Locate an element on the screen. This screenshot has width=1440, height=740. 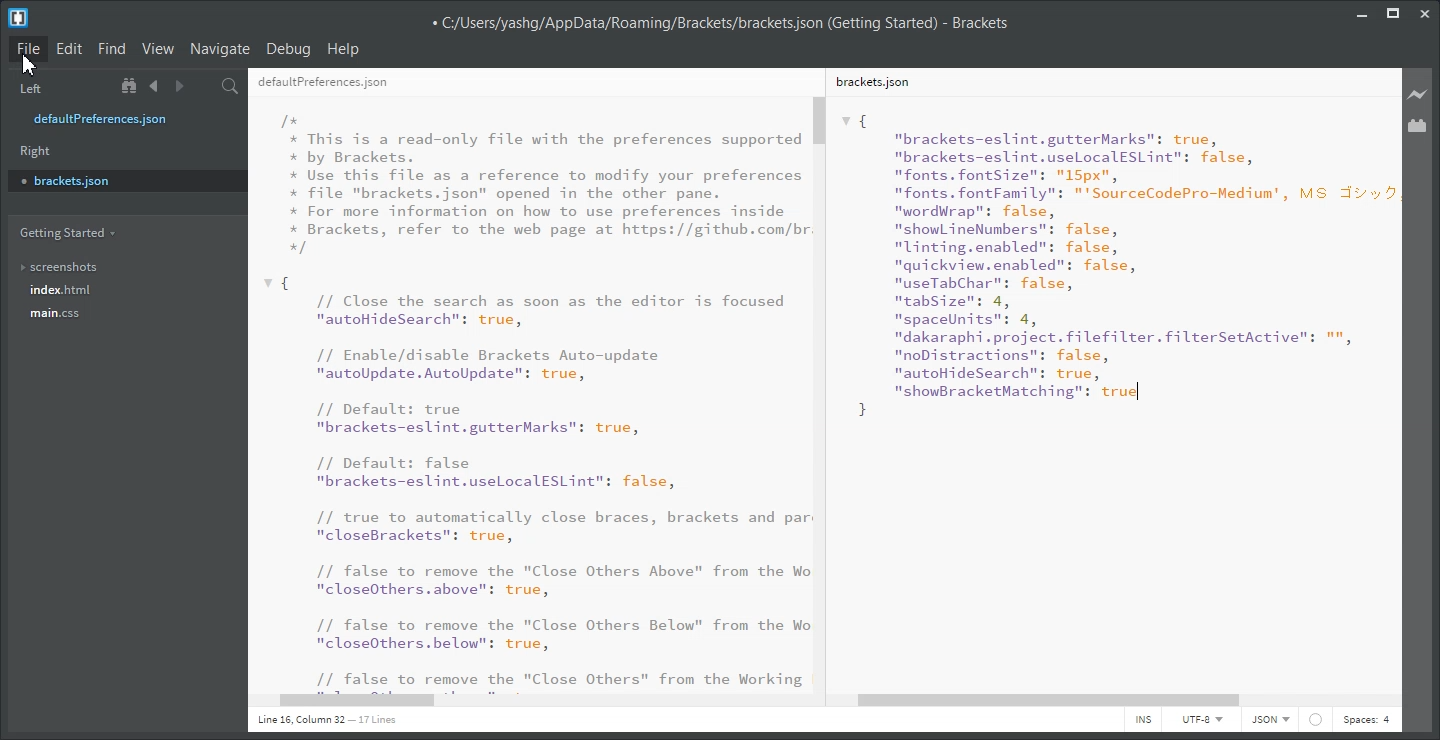
index.html is located at coordinates (61, 290).